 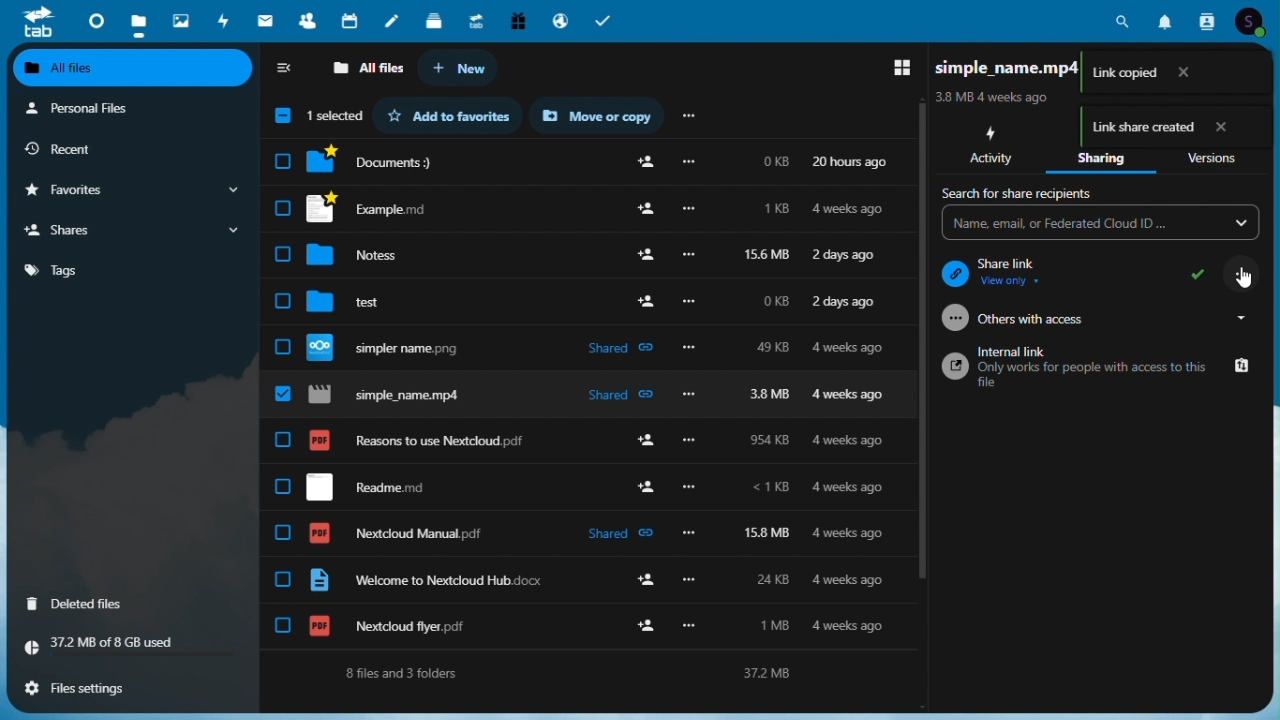 What do you see at coordinates (1205, 21) in the screenshot?
I see `Contacts` at bounding box center [1205, 21].